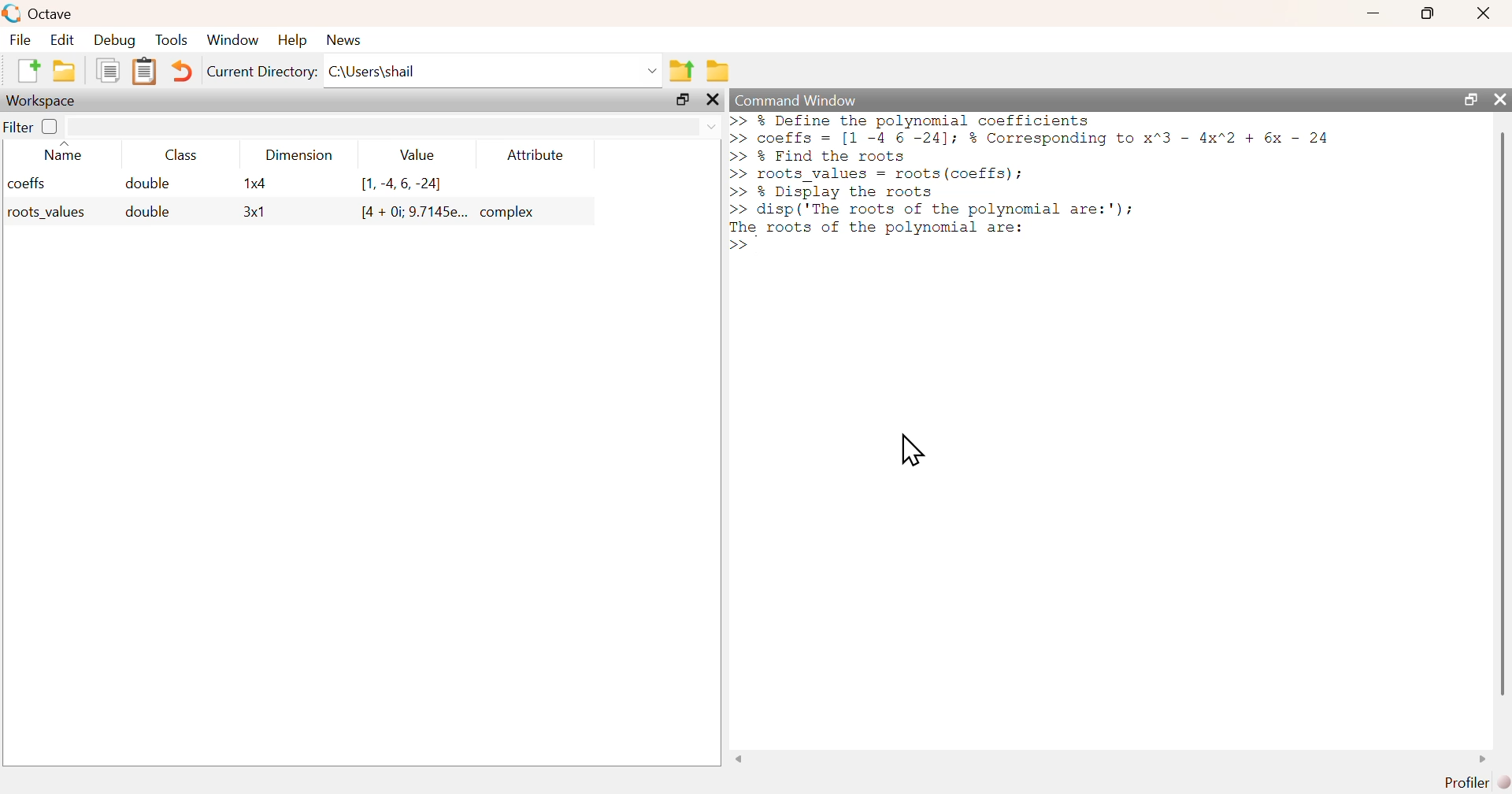 The height and width of the screenshot is (794, 1512). I want to click on Undo, so click(179, 72).